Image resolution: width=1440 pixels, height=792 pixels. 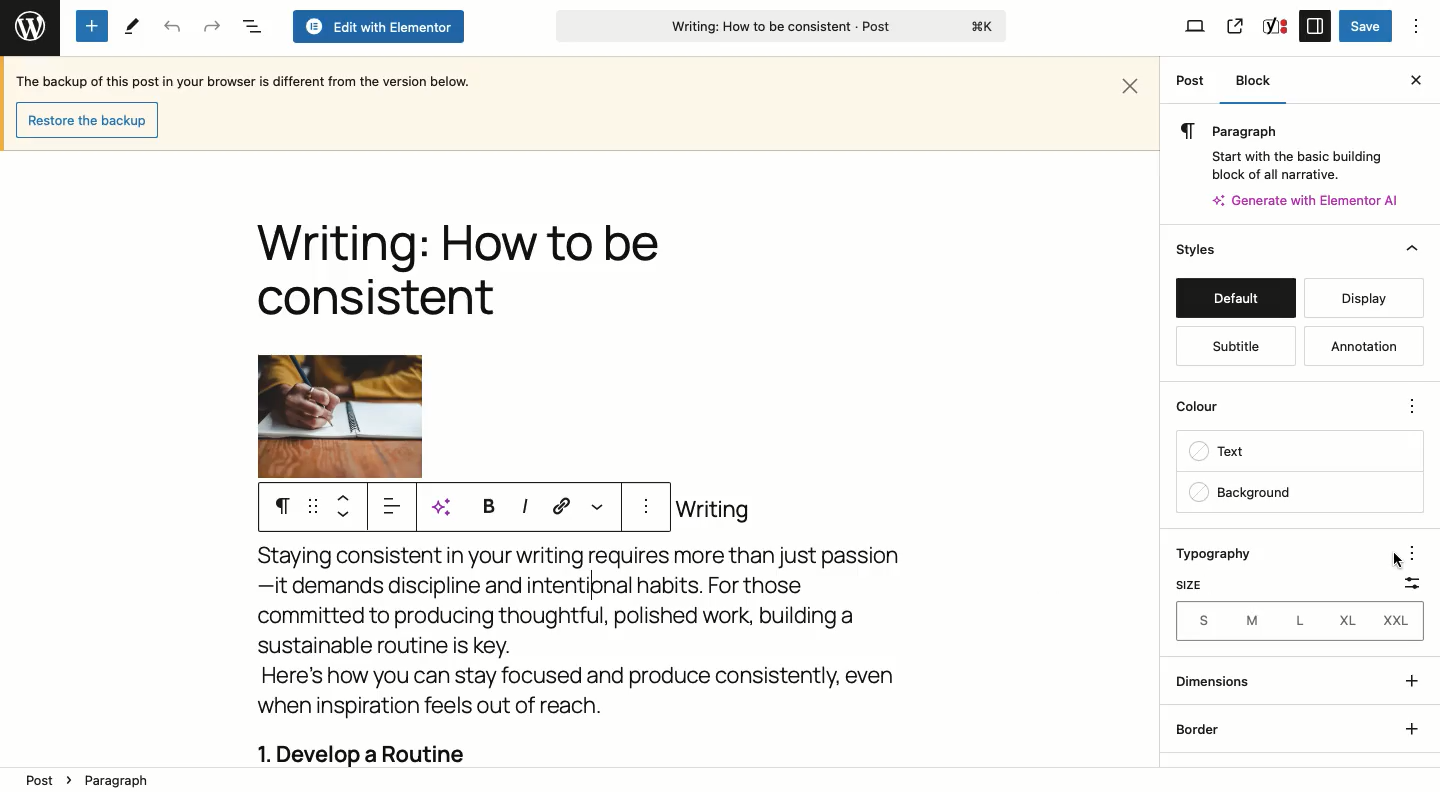 What do you see at coordinates (1190, 82) in the screenshot?
I see `Post` at bounding box center [1190, 82].